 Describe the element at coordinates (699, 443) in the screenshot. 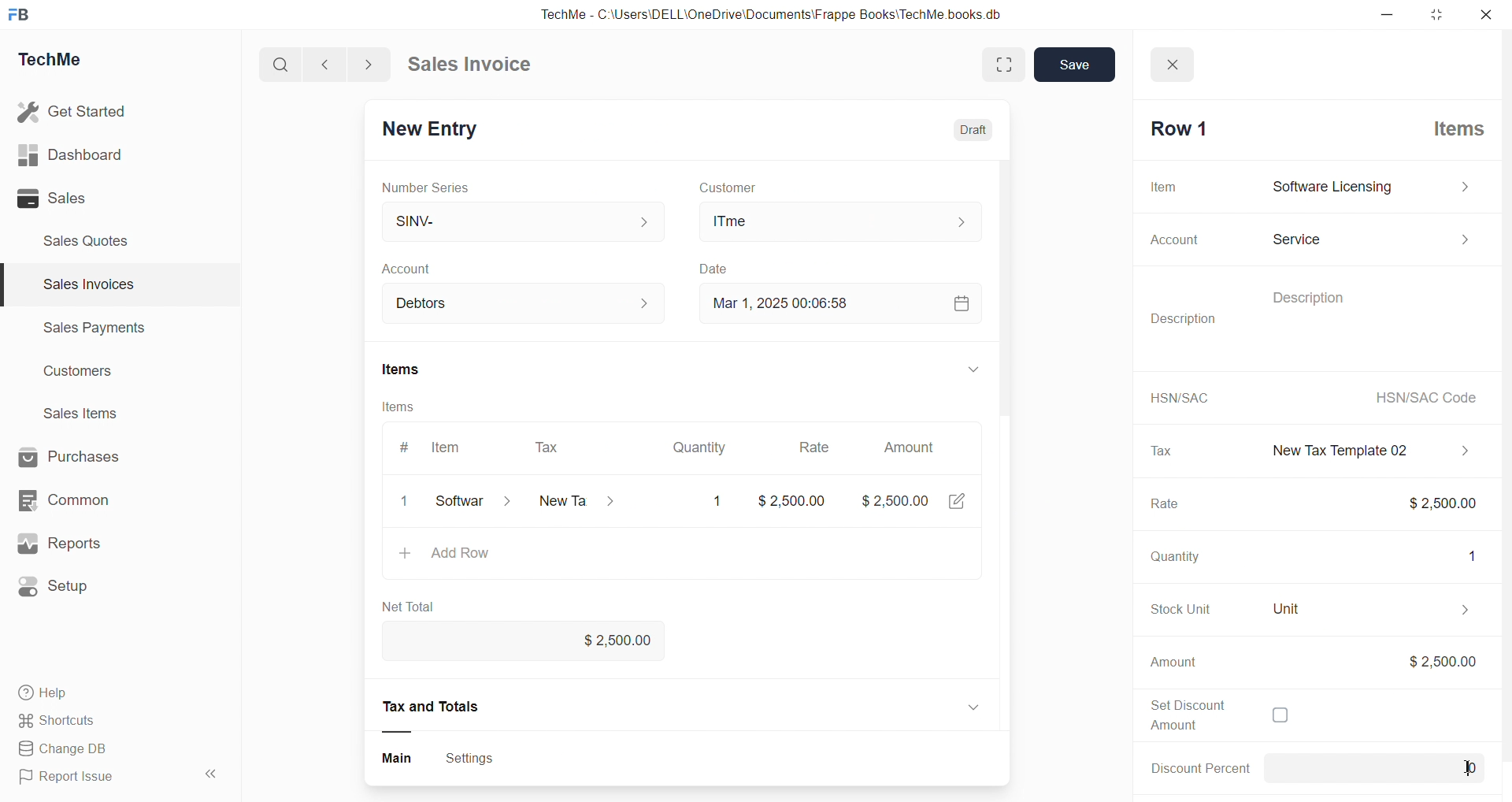

I see `Quantity` at that location.